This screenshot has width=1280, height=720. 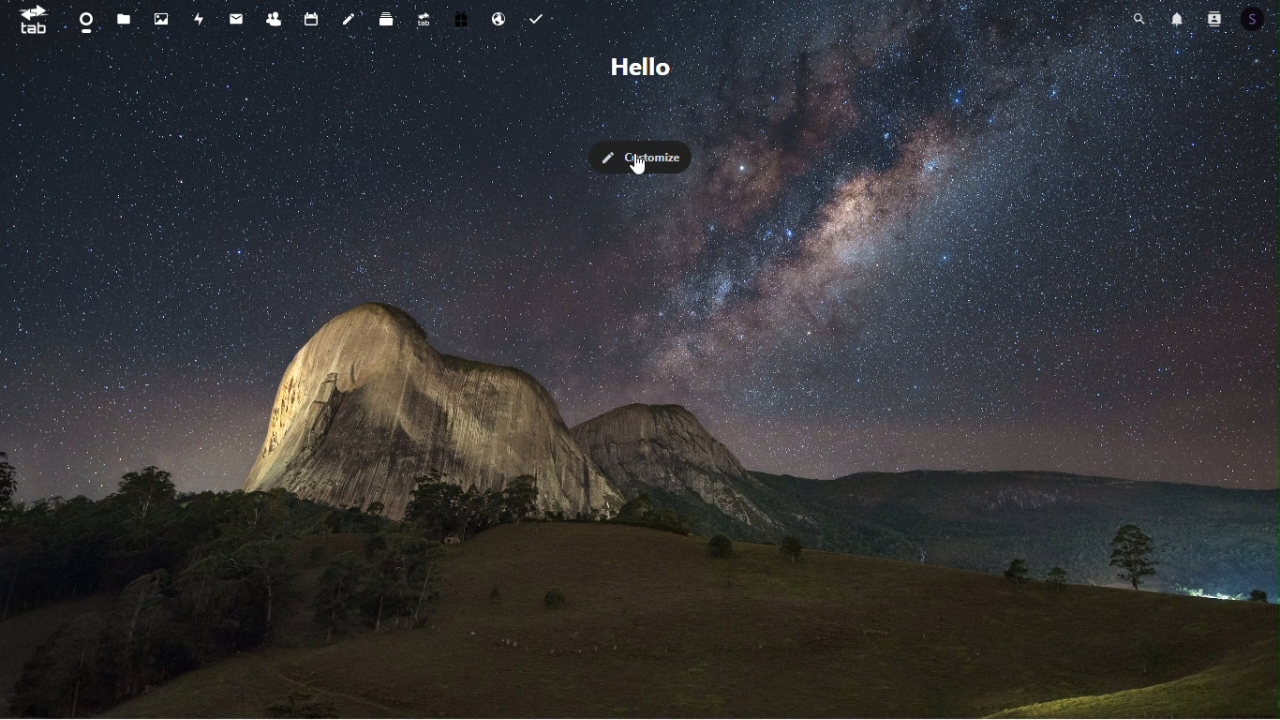 I want to click on Task, so click(x=543, y=21).